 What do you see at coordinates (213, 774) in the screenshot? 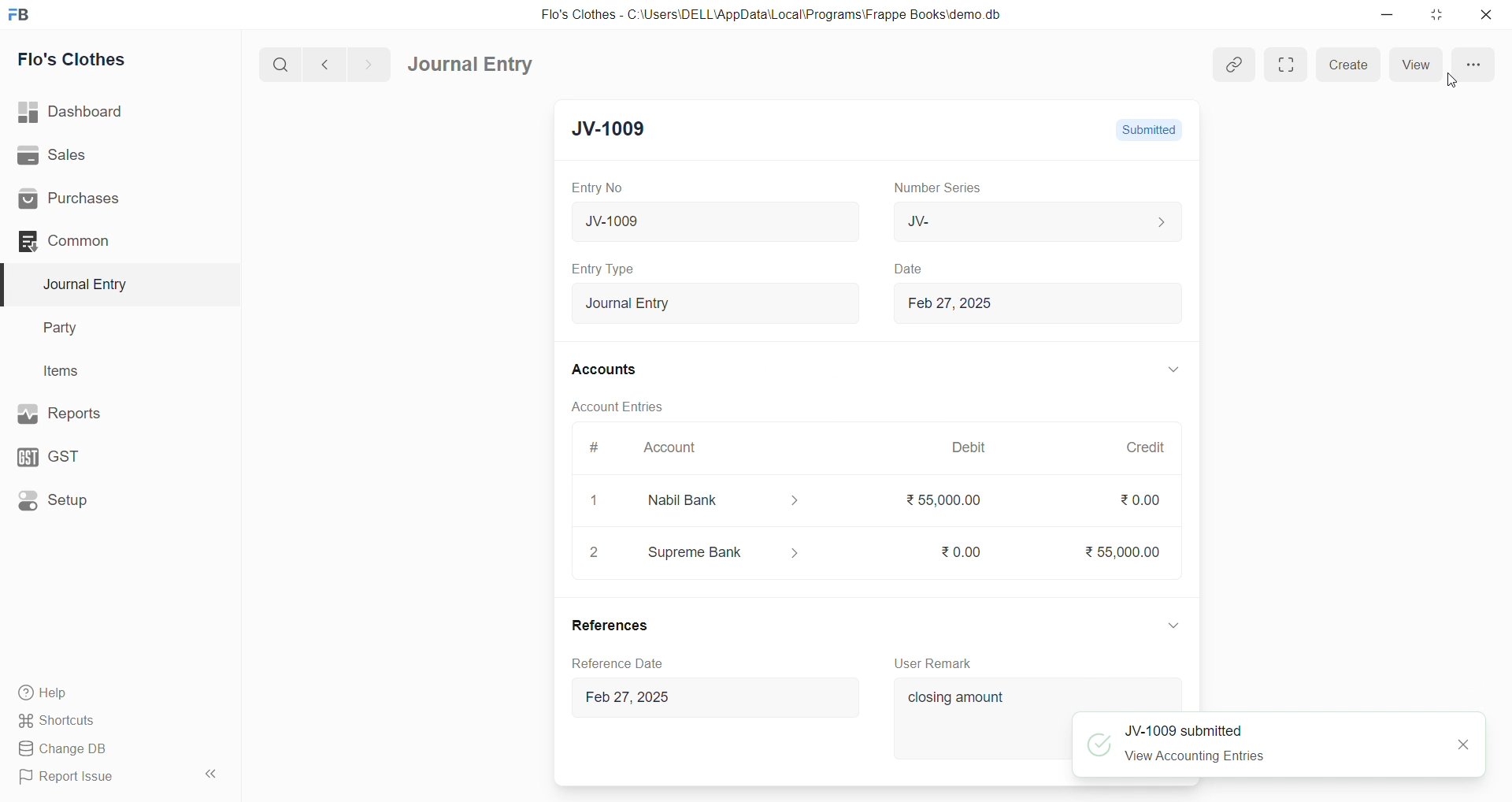
I see `collapse sidebar` at bounding box center [213, 774].